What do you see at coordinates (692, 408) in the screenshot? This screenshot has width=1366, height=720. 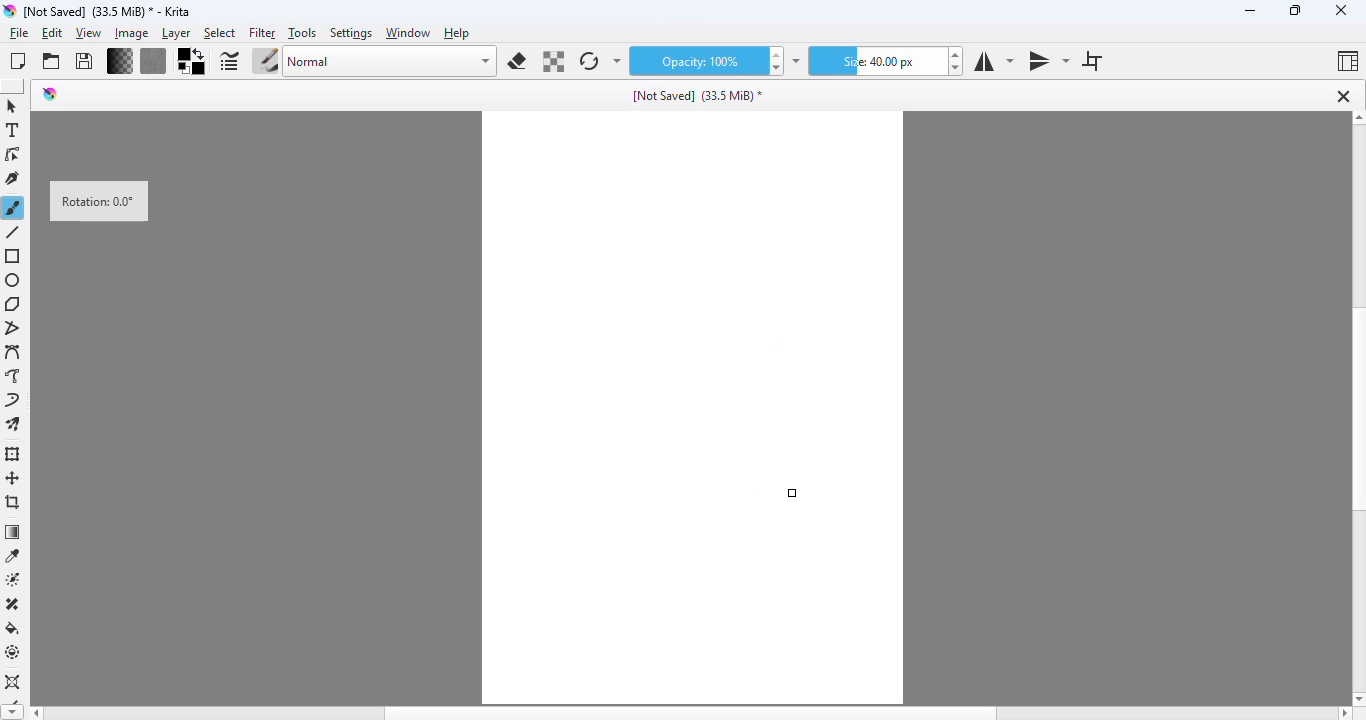 I see `canvas rotation is reset` at bounding box center [692, 408].